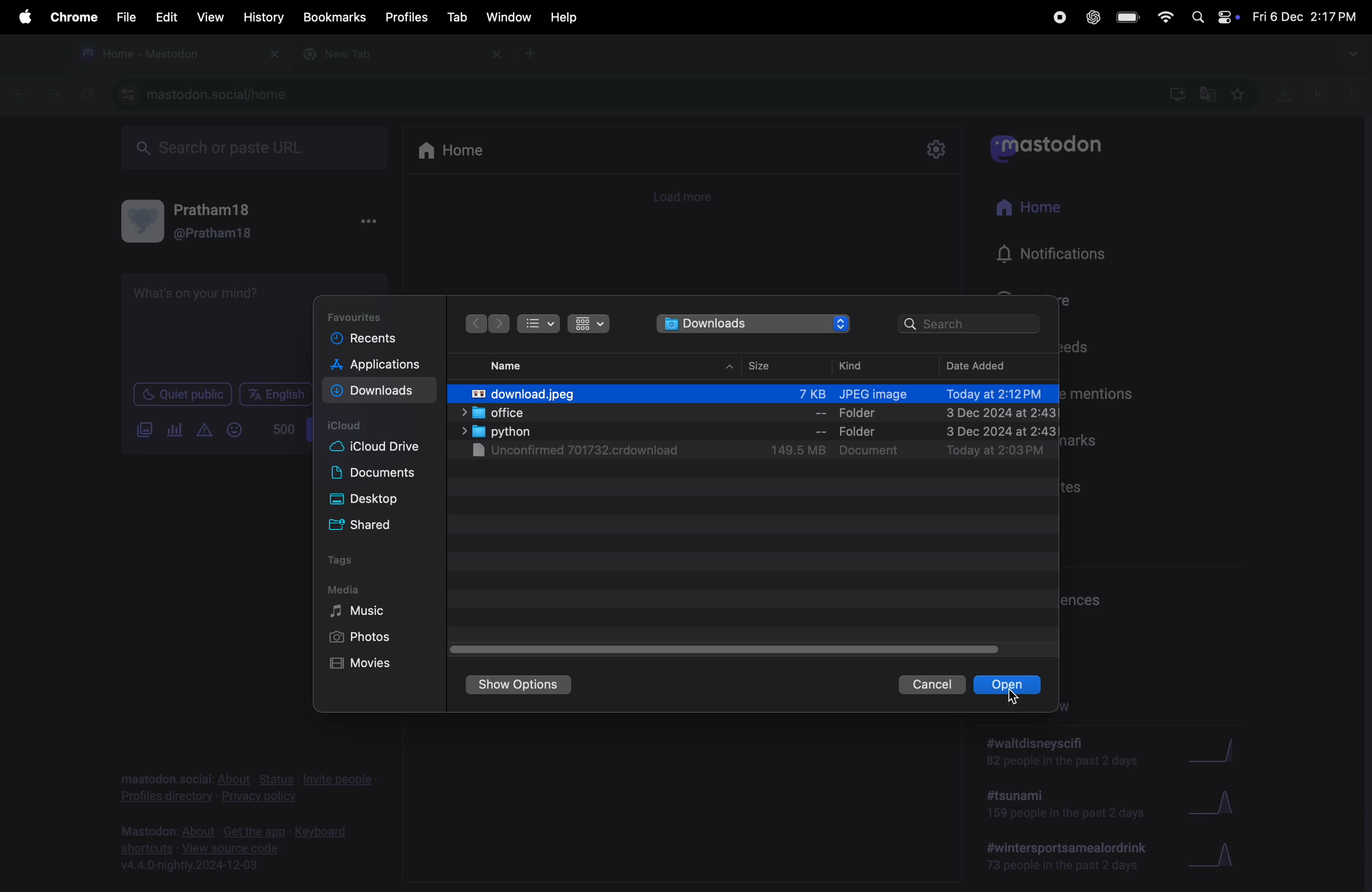  What do you see at coordinates (334, 16) in the screenshot?
I see `Bookmarks` at bounding box center [334, 16].